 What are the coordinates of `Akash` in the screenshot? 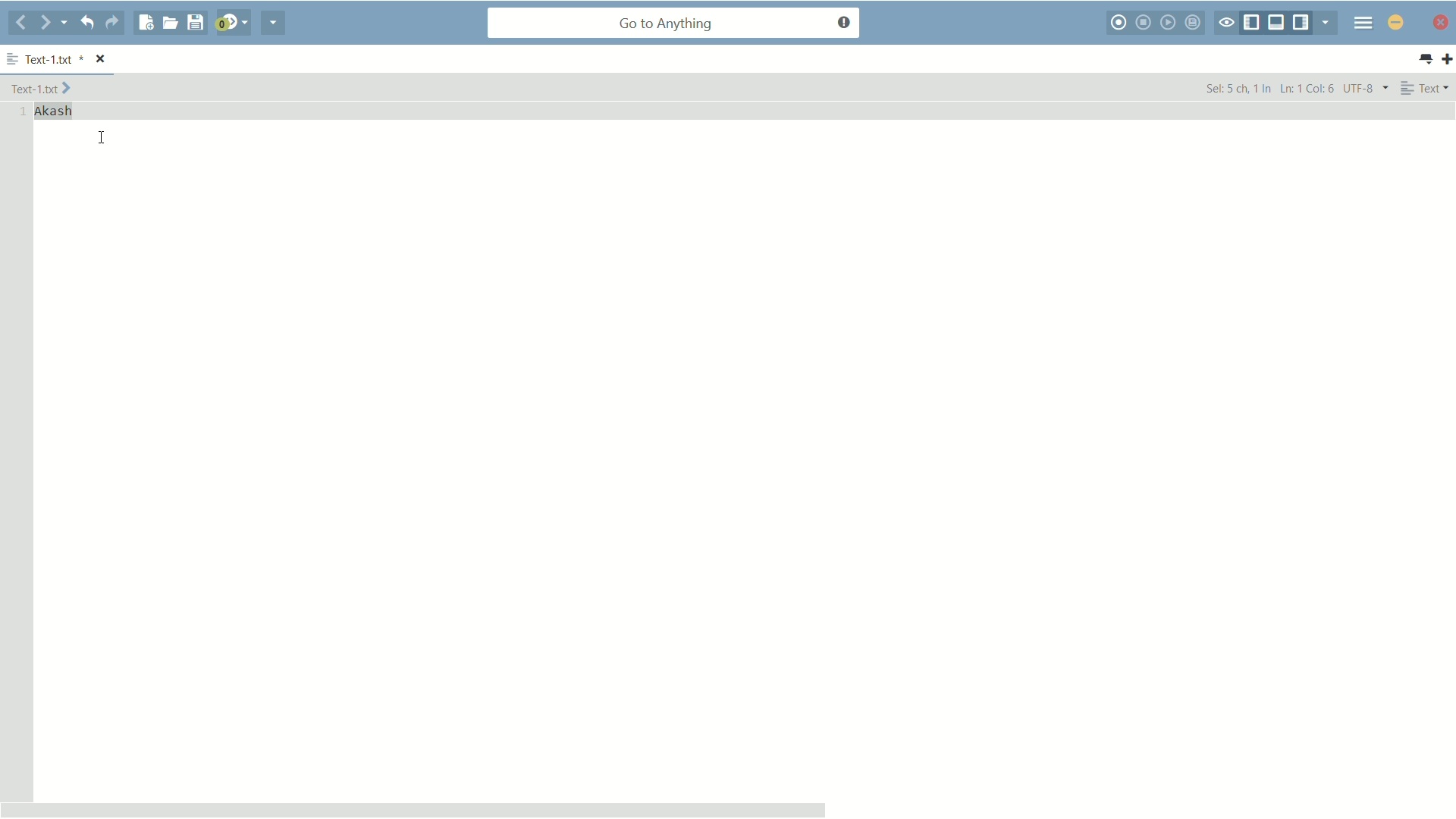 It's located at (54, 111).